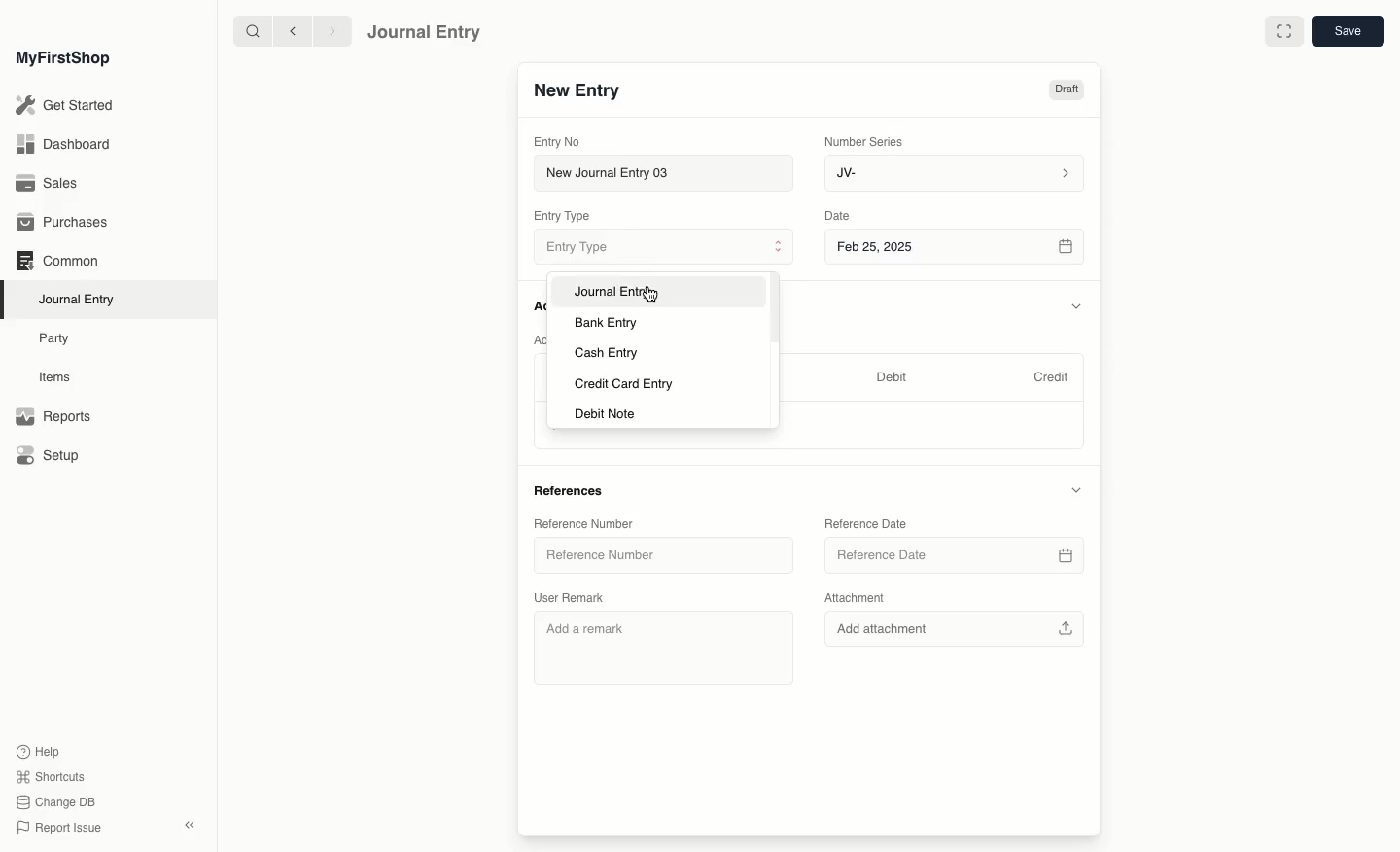 The width and height of the screenshot is (1400, 852). What do you see at coordinates (952, 173) in the screenshot?
I see `JV-` at bounding box center [952, 173].